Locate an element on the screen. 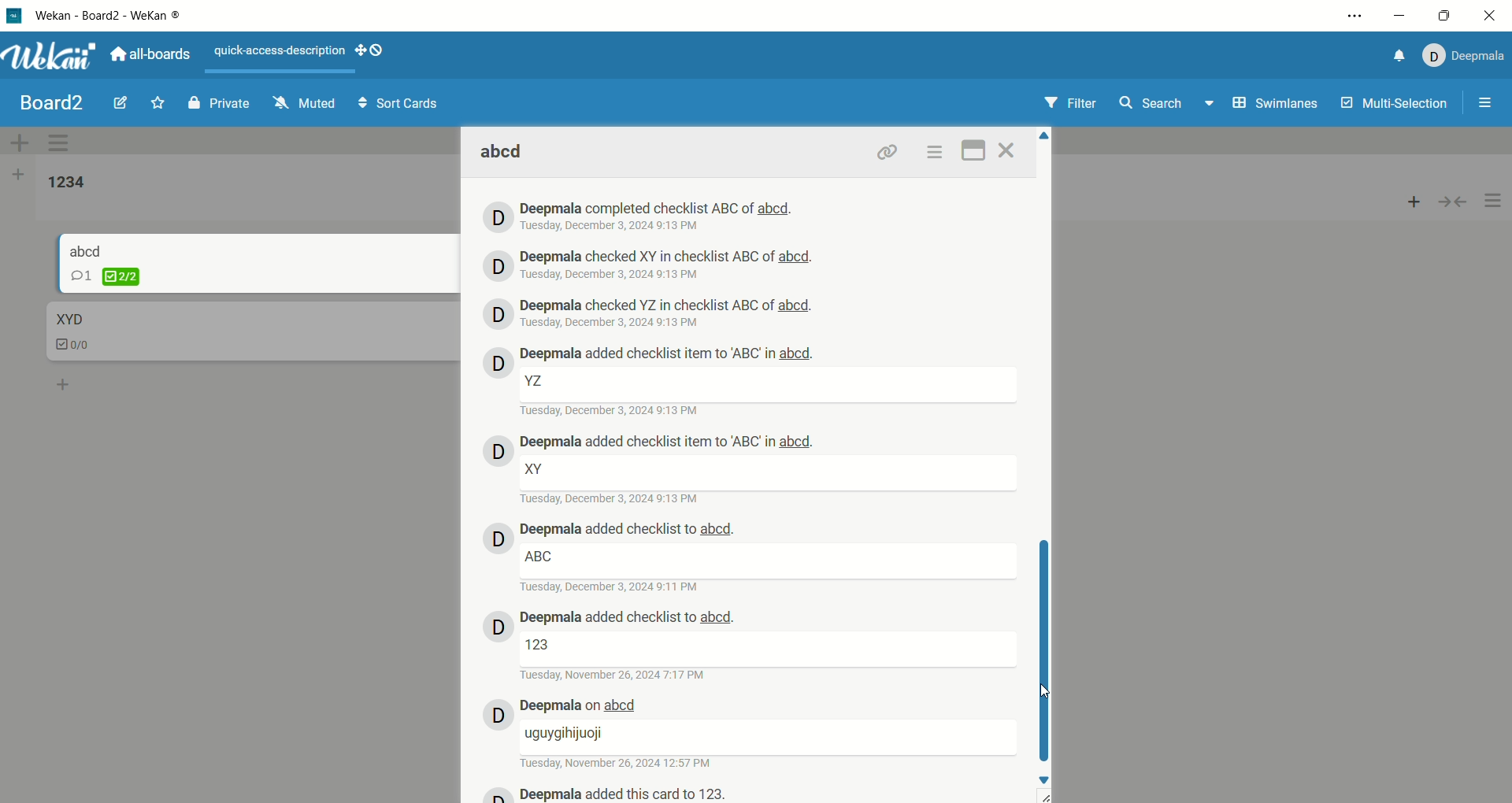 This screenshot has height=803, width=1512. deepmala history is located at coordinates (628, 531).